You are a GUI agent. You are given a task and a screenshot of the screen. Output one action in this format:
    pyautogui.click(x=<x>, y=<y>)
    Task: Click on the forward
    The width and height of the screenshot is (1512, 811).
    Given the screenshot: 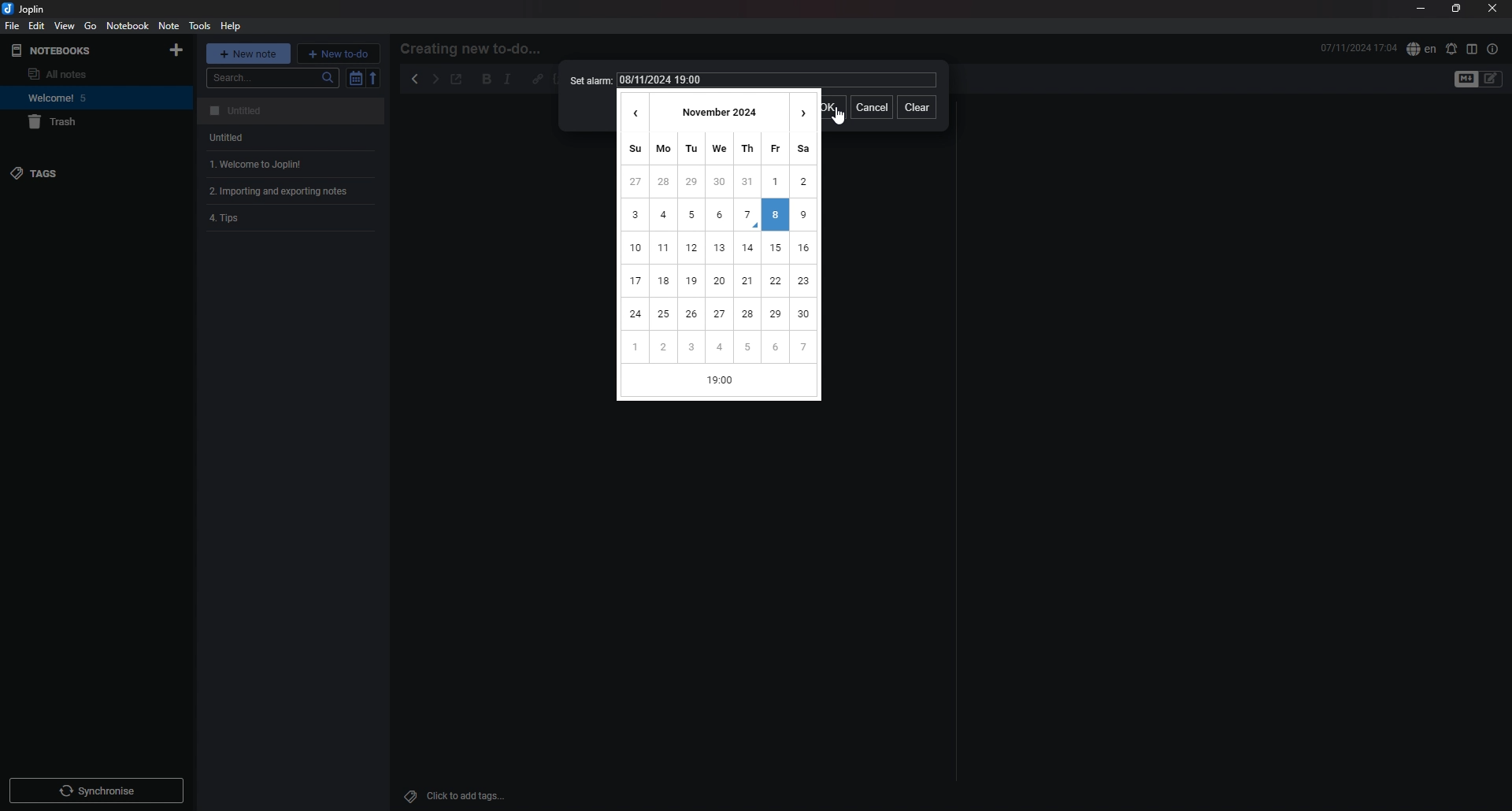 What is the action you would take?
    pyautogui.click(x=435, y=80)
    